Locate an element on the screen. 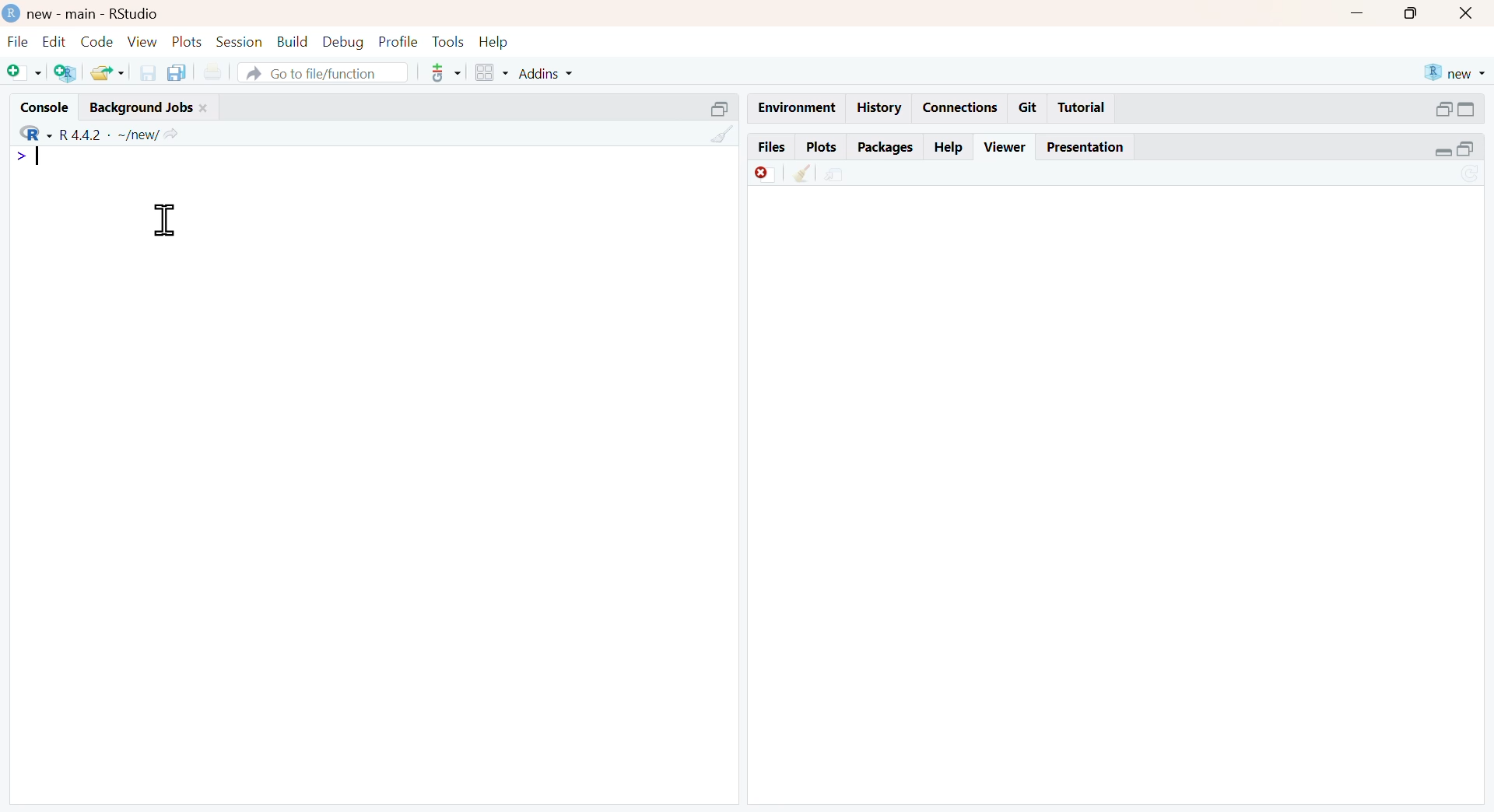  open existing file is located at coordinates (104, 72).